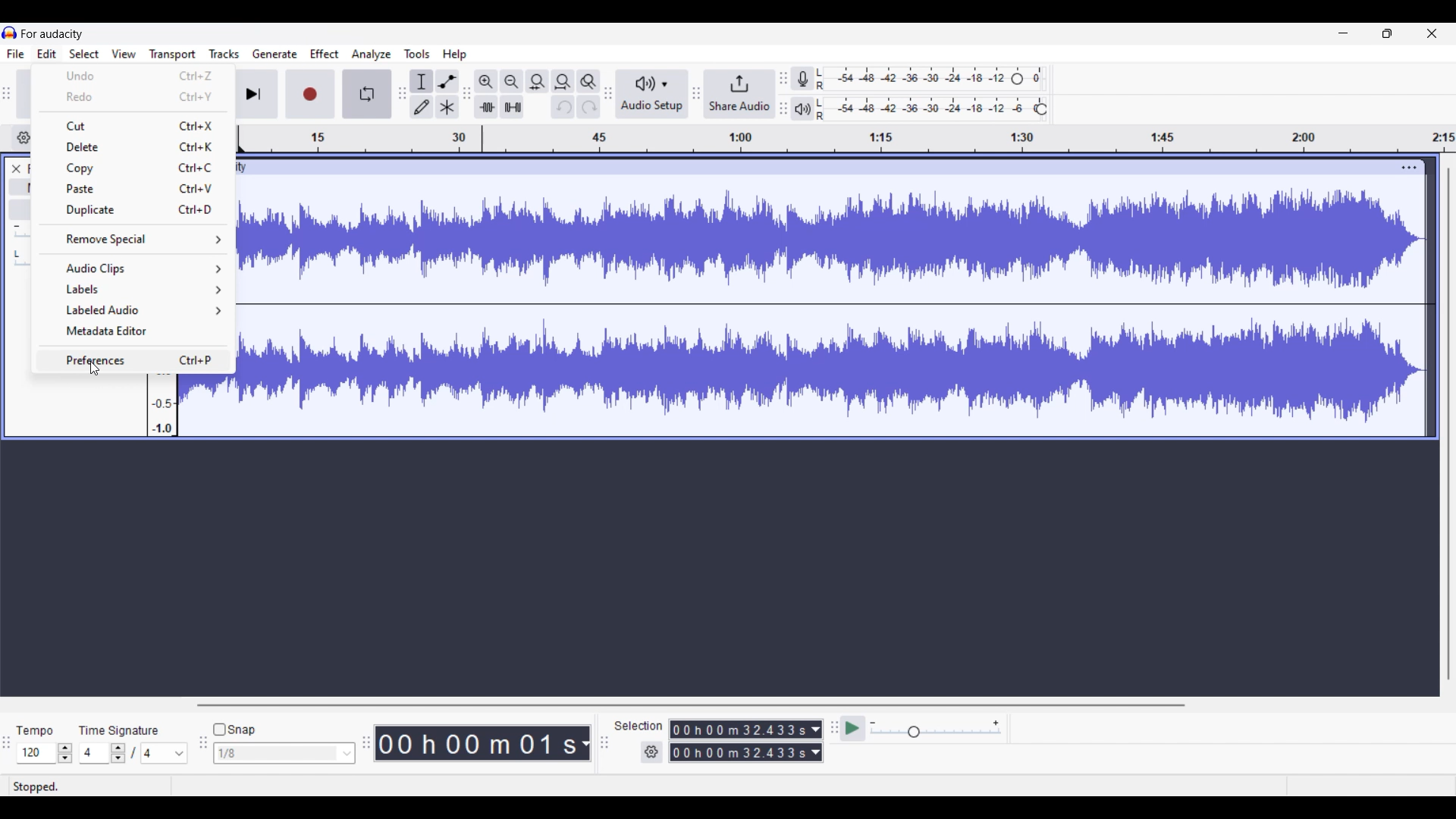 Image resolution: width=1456 pixels, height=819 pixels. I want to click on Header to change playback level, so click(1042, 109).